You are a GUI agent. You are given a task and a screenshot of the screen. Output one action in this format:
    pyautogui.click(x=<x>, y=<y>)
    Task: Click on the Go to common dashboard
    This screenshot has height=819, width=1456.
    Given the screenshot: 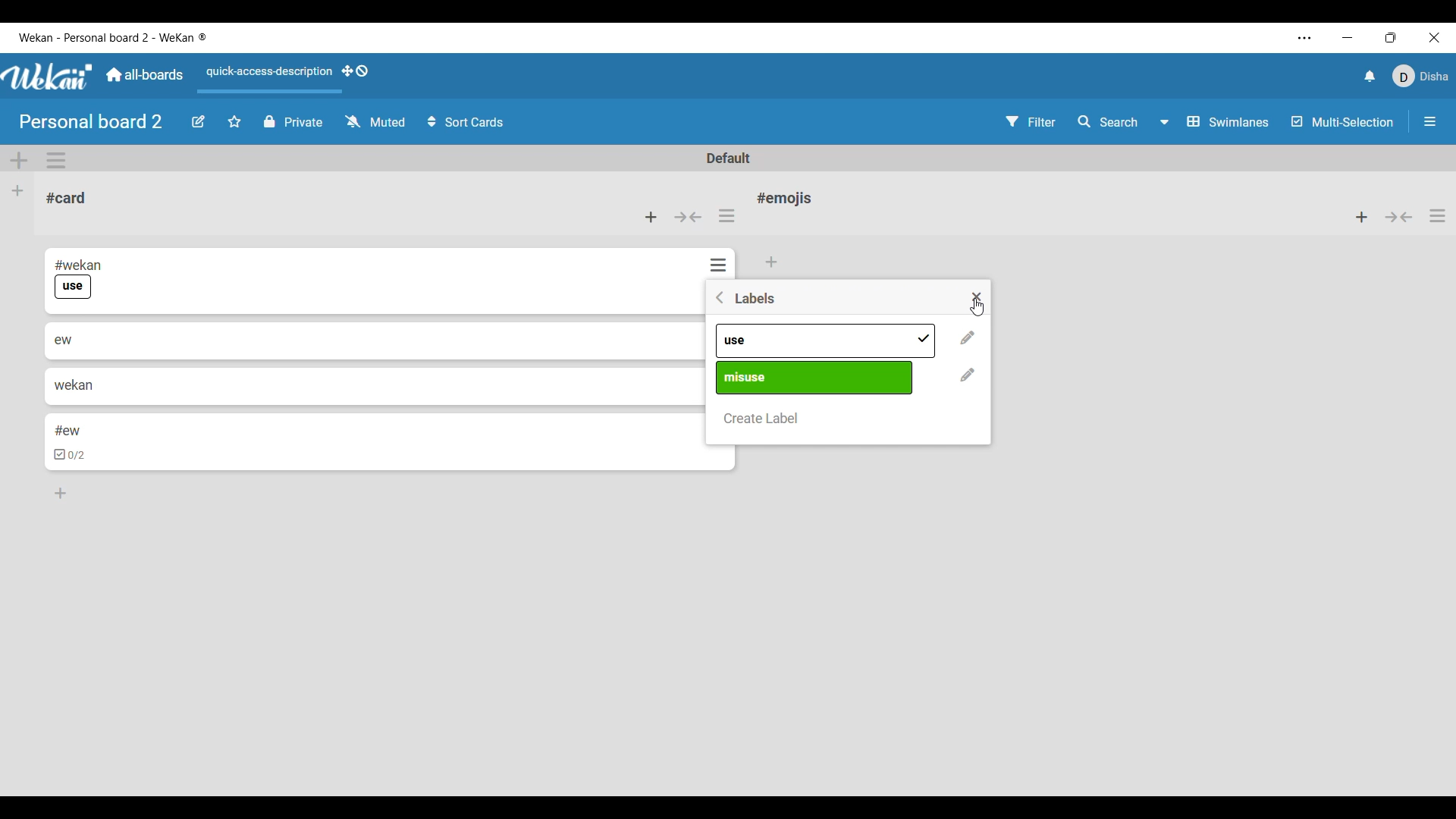 What is the action you would take?
    pyautogui.click(x=145, y=74)
    